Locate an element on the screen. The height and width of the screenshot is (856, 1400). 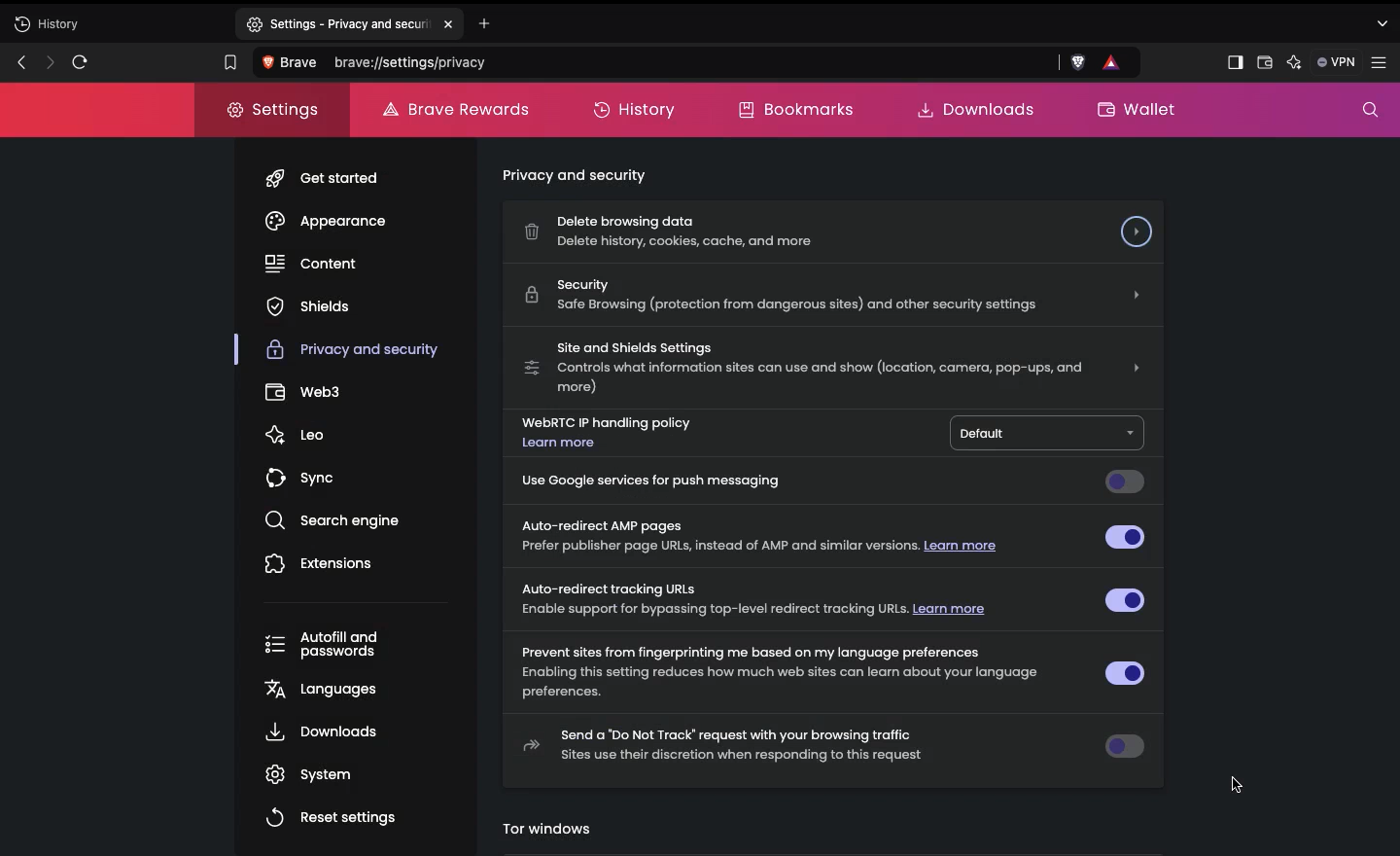
System is located at coordinates (308, 774).